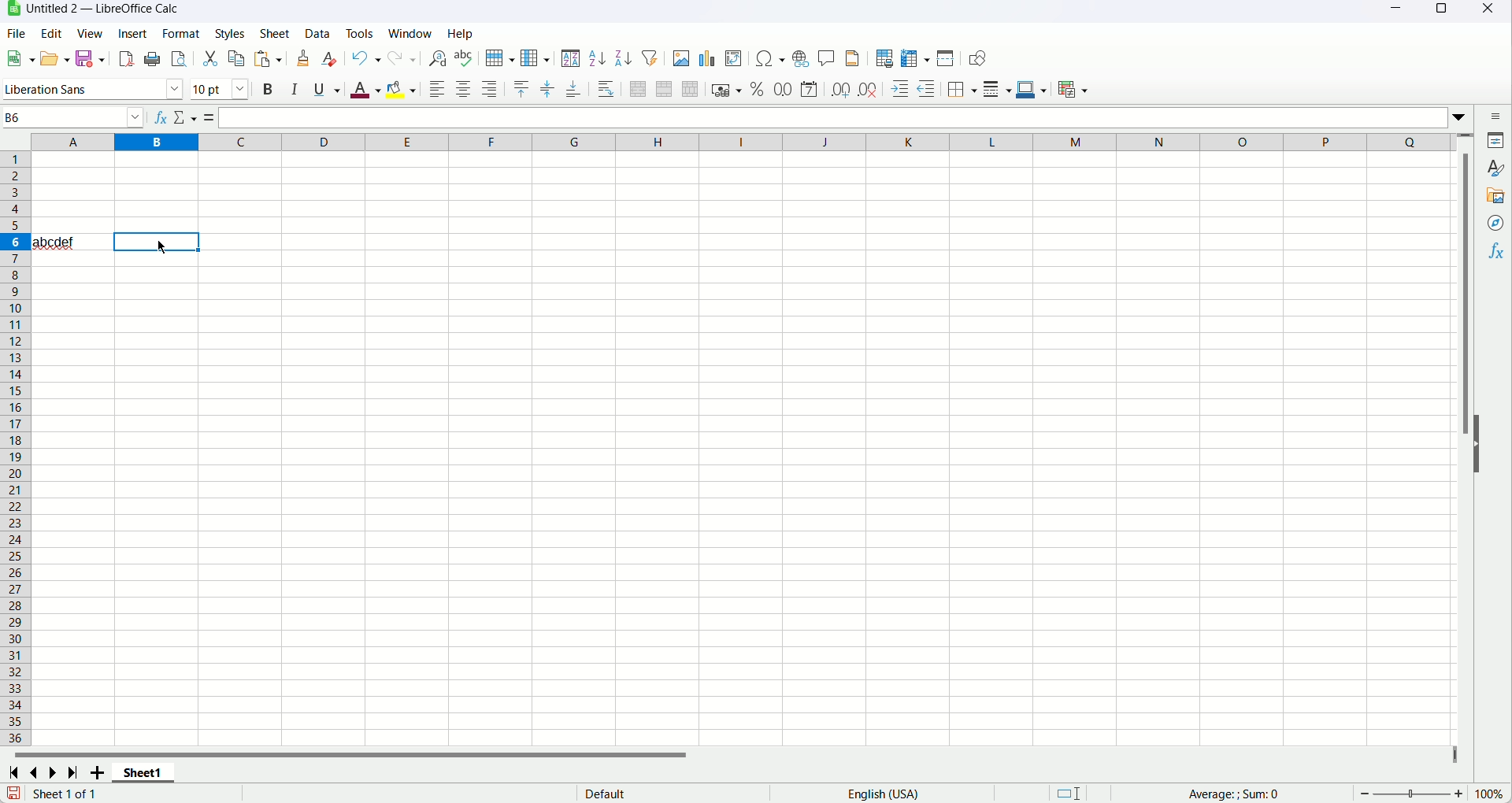  I want to click on maximize, so click(1440, 11).